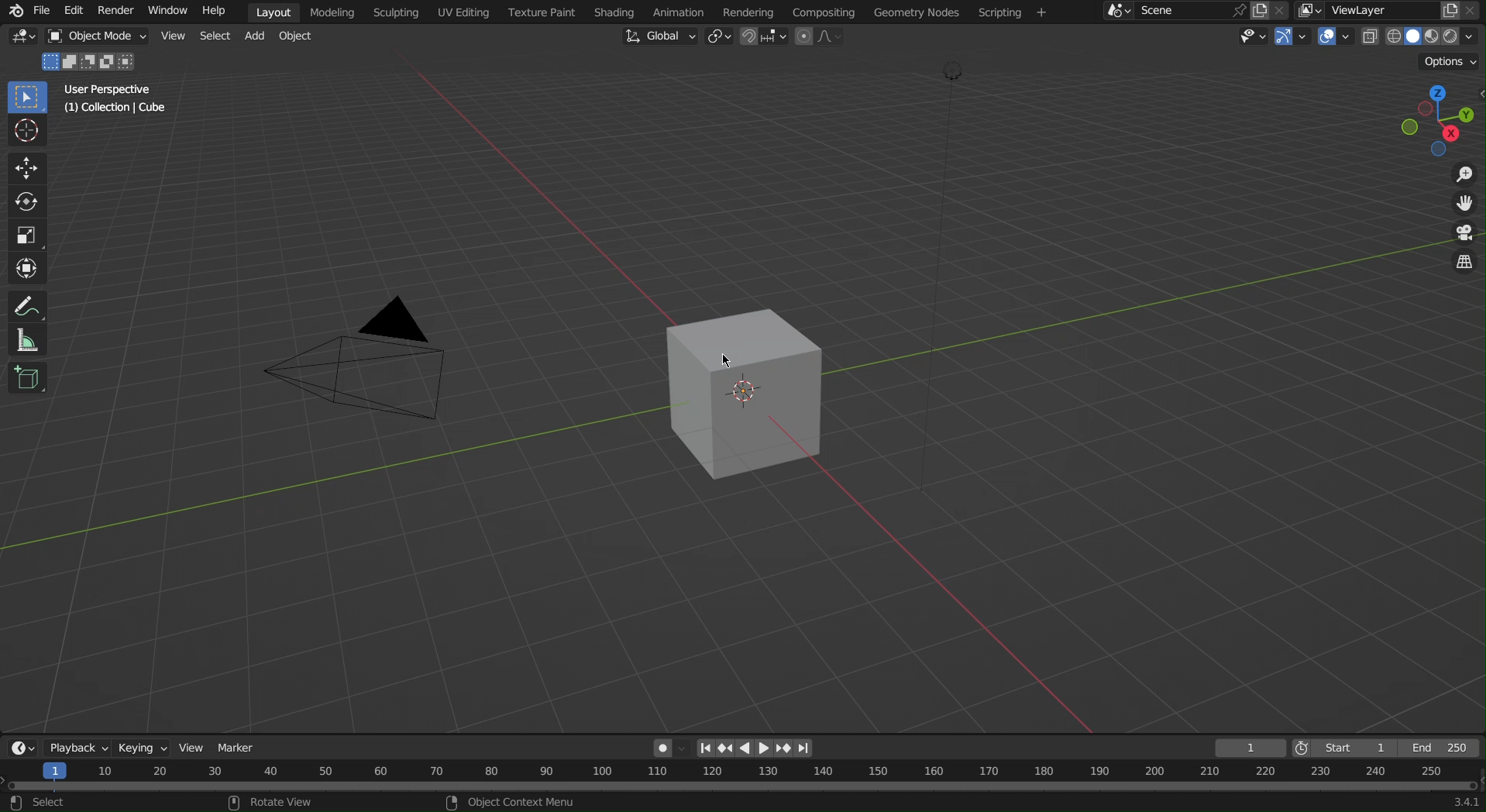 The image size is (1486, 812). Describe the element at coordinates (1391, 10) in the screenshot. I see `ViewLayer` at that location.